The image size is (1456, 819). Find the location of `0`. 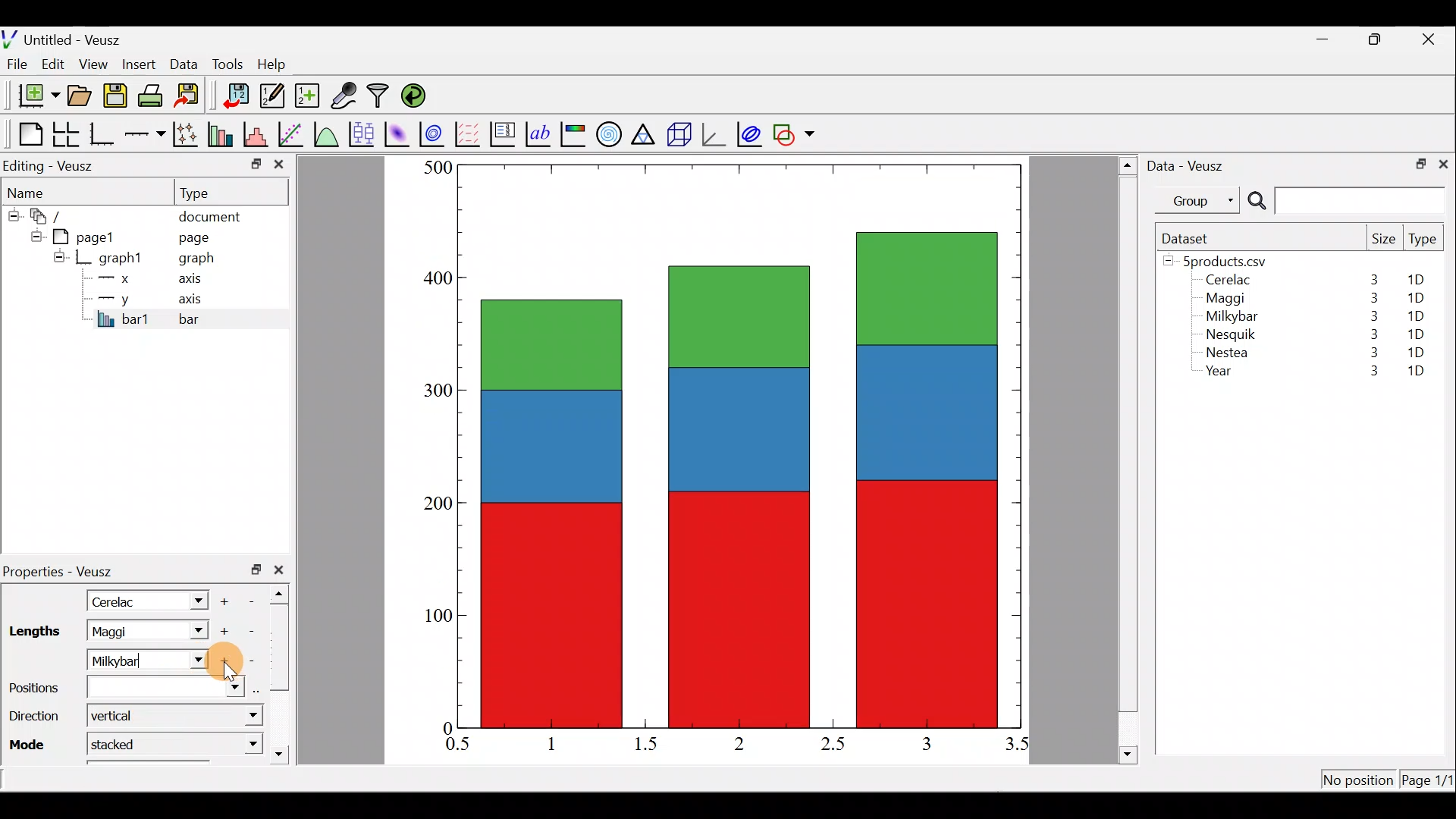

0 is located at coordinates (445, 727).